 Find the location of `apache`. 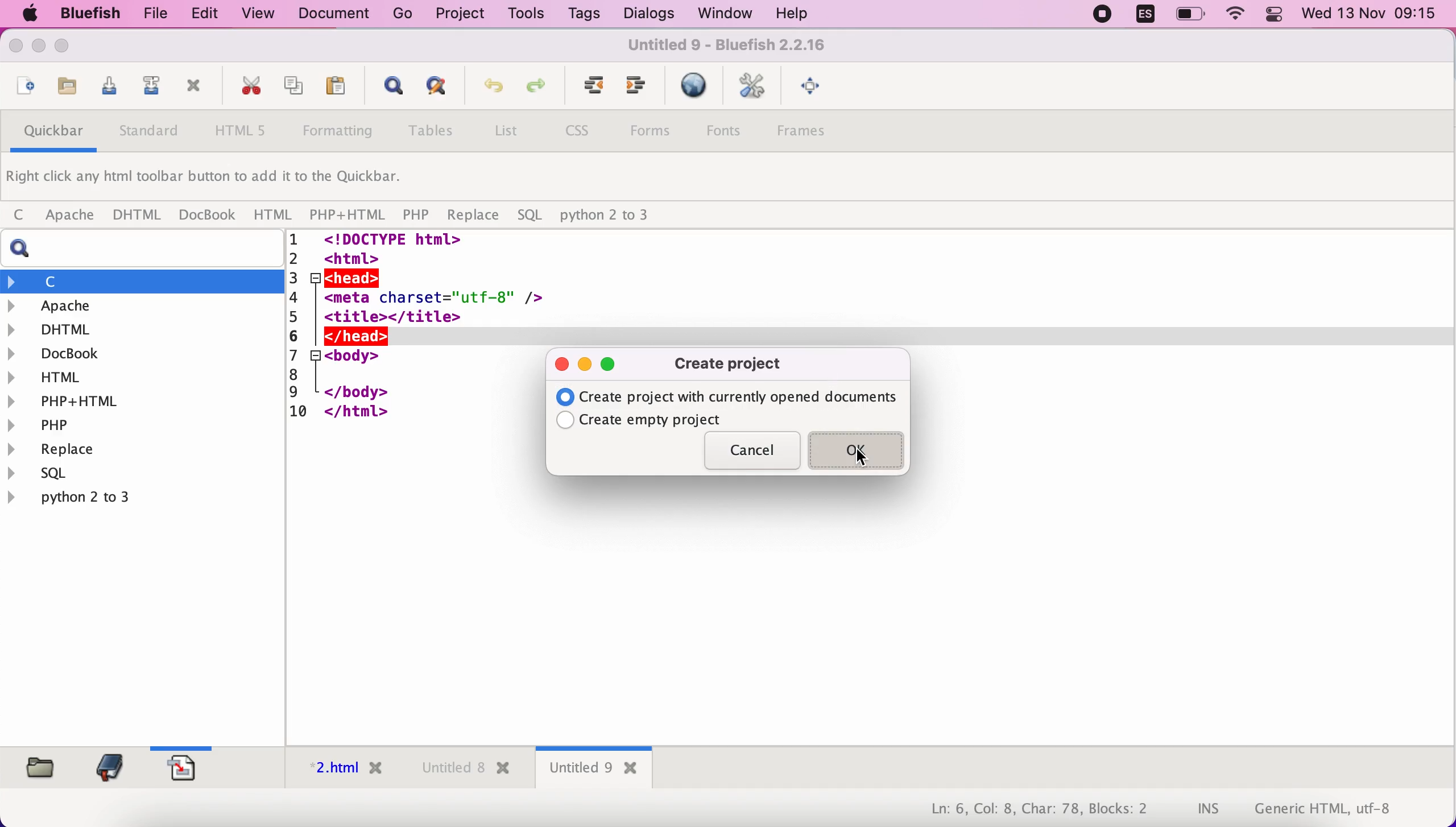

apache is located at coordinates (144, 306).